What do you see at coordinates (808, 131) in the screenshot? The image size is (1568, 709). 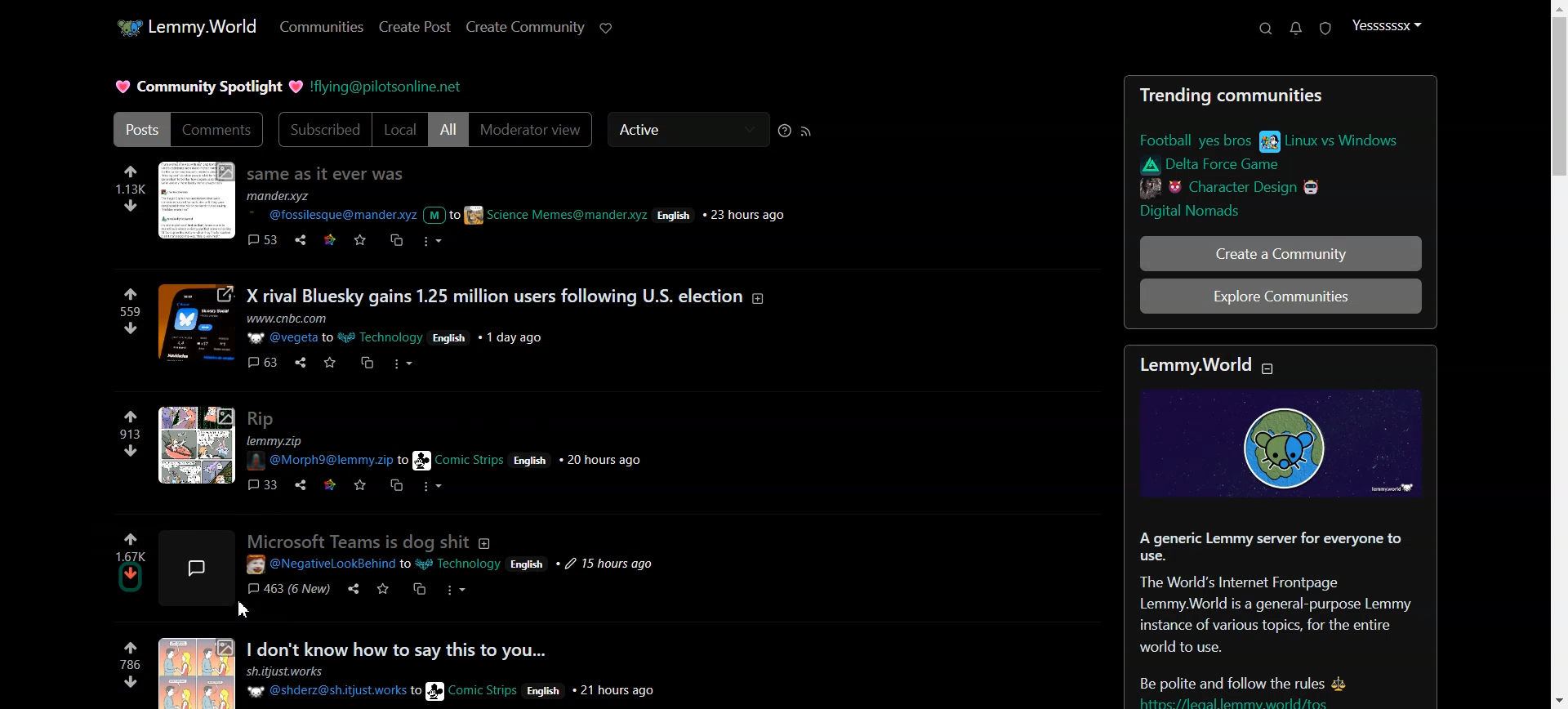 I see `Rss` at bounding box center [808, 131].